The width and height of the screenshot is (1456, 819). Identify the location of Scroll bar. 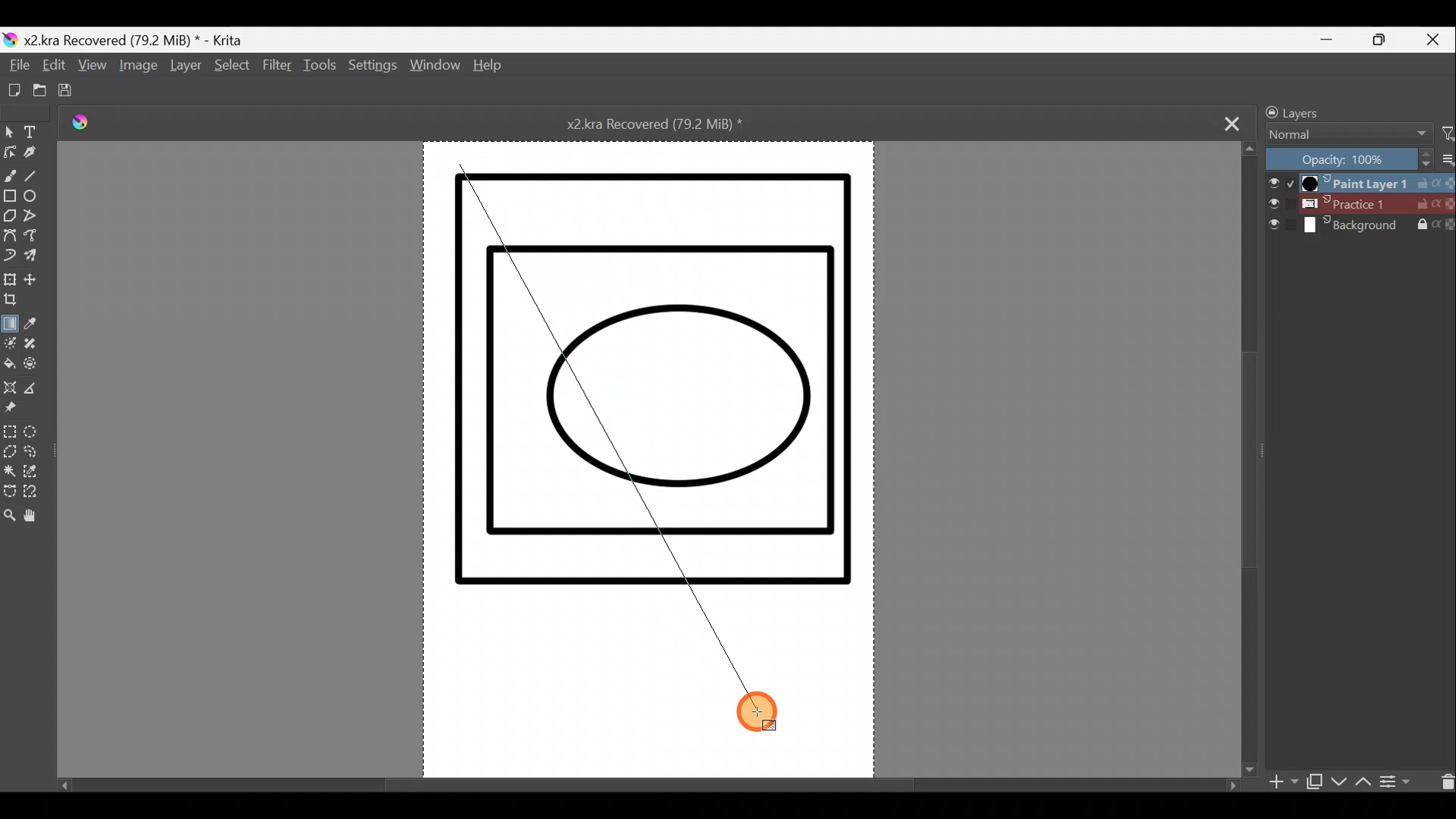
(644, 780).